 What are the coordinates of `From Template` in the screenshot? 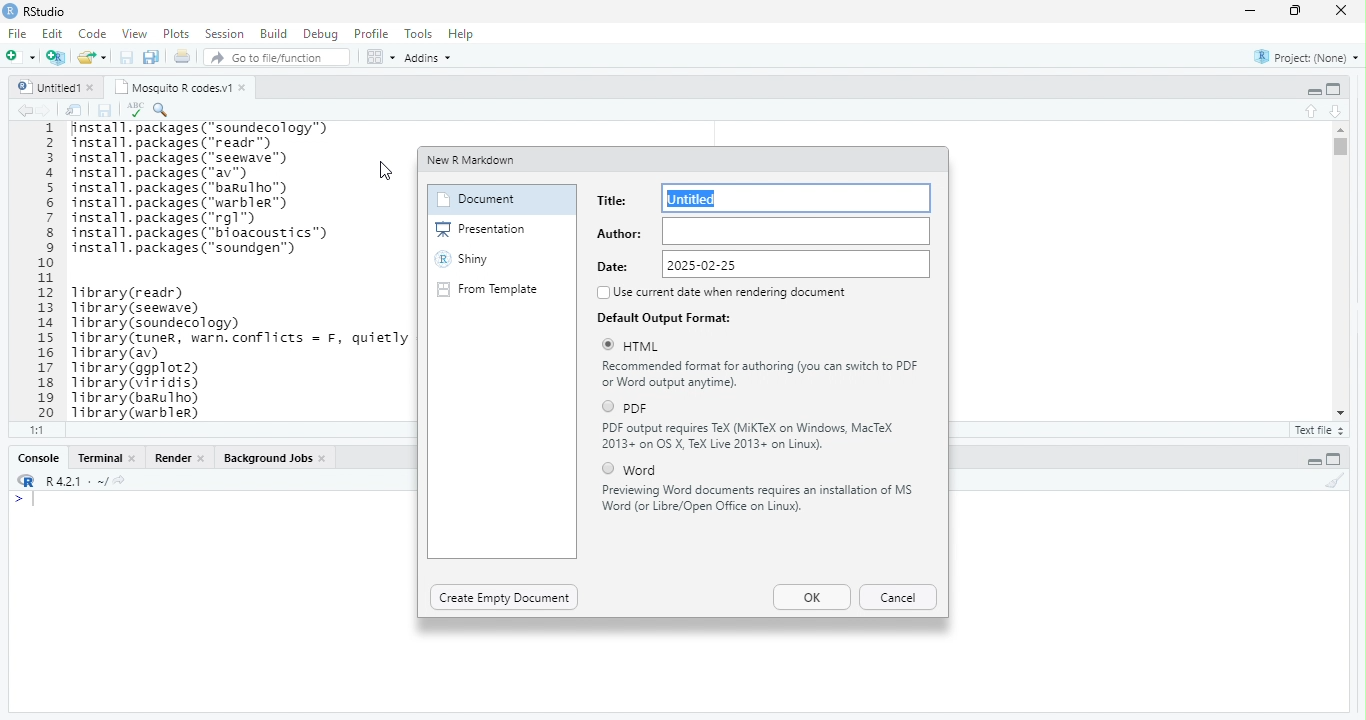 It's located at (488, 289).